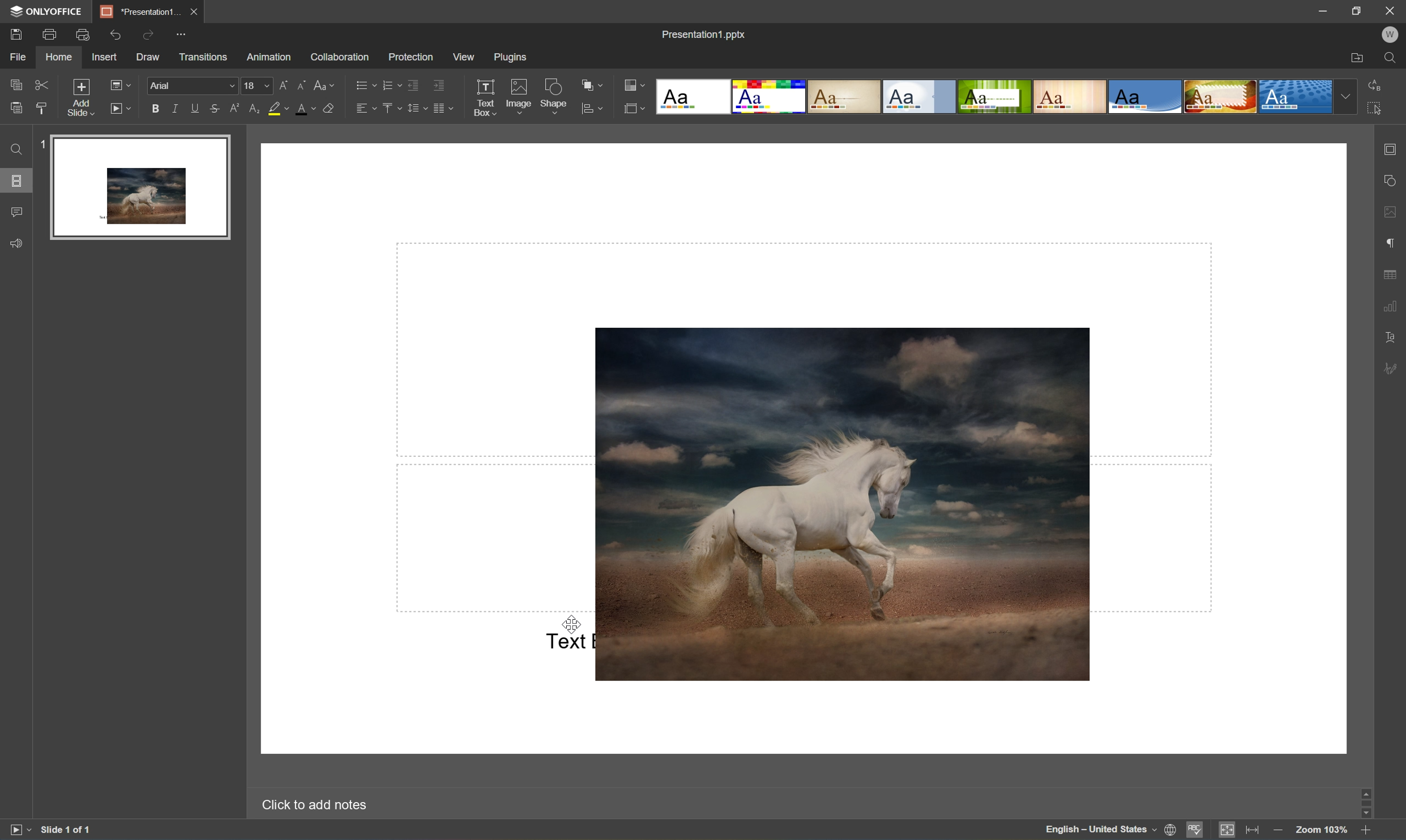 Image resolution: width=1406 pixels, height=840 pixels. I want to click on Slide 1 of 1, so click(66, 832).